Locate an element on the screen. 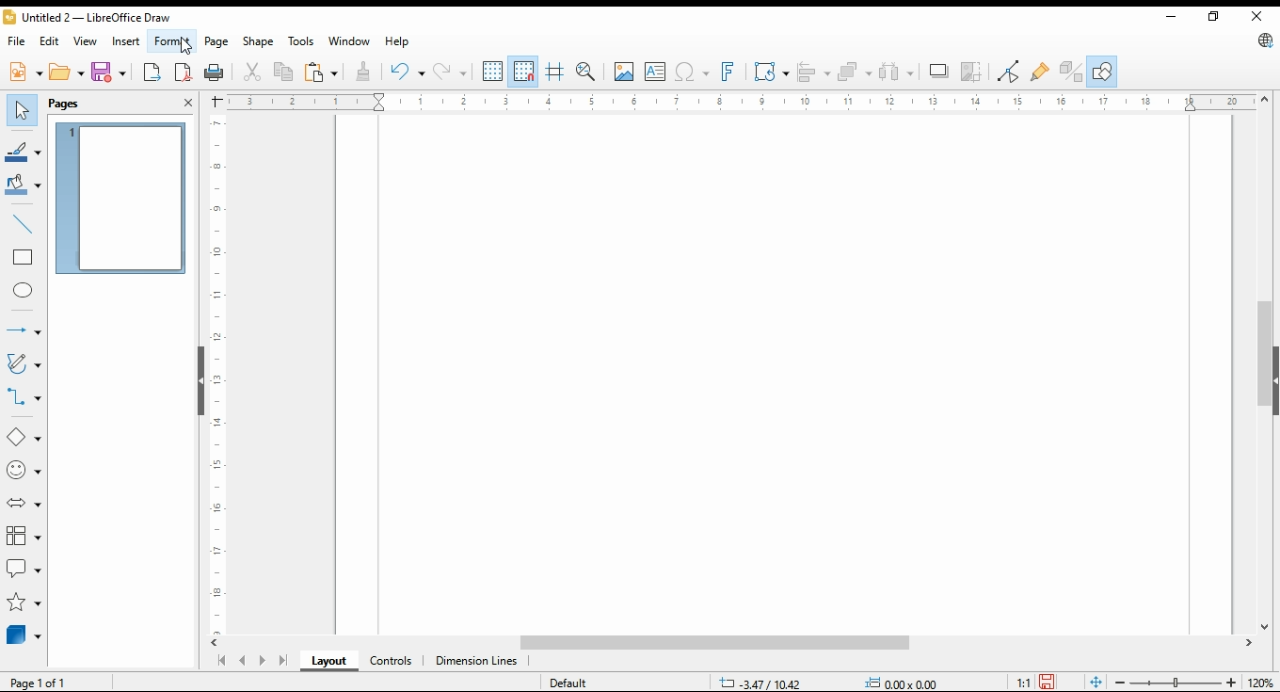 The image size is (1280, 692). save is located at coordinates (1046, 682).